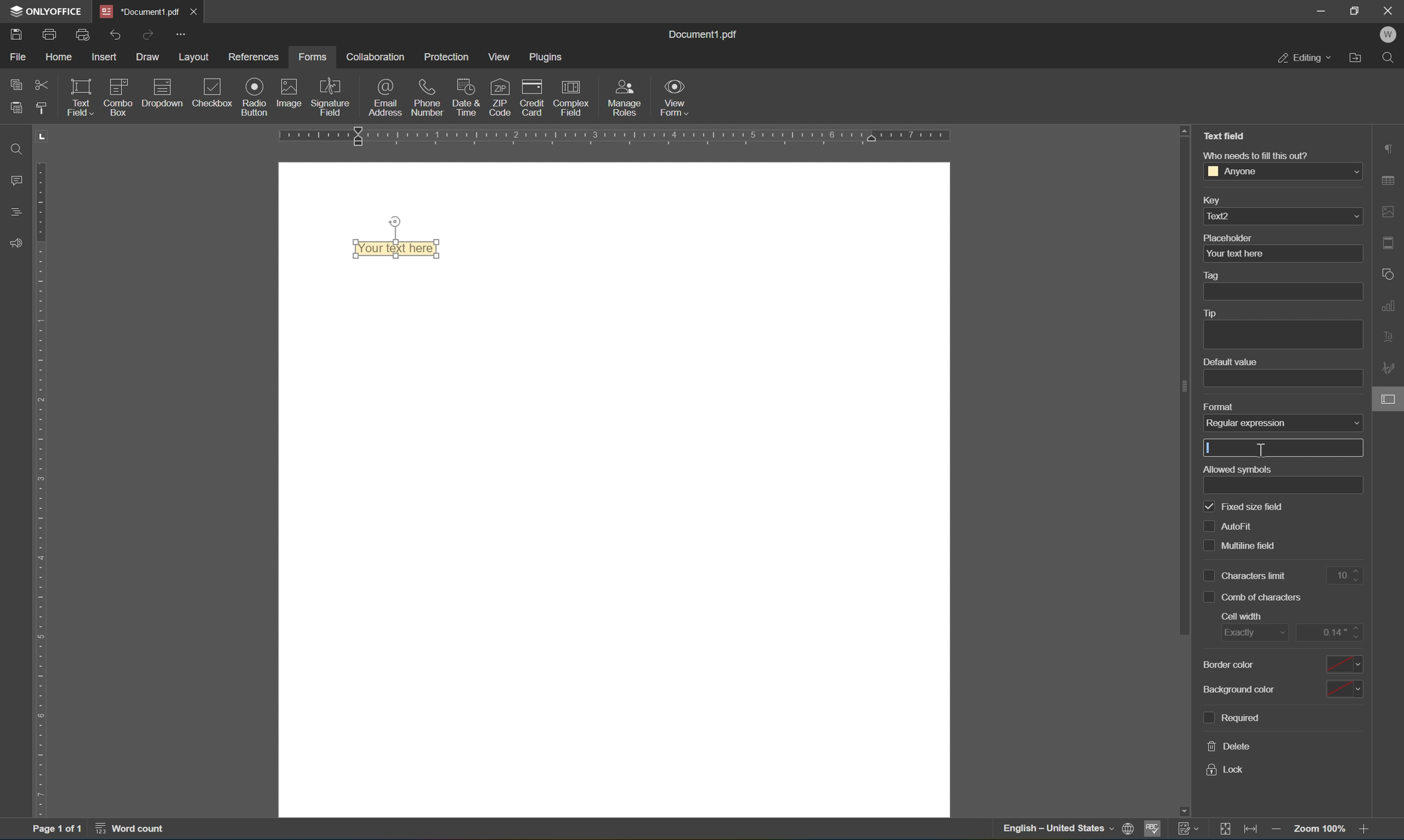 This screenshot has height=840, width=1404. What do you see at coordinates (1212, 199) in the screenshot?
I see `key` at bounding box center [1212, 199].